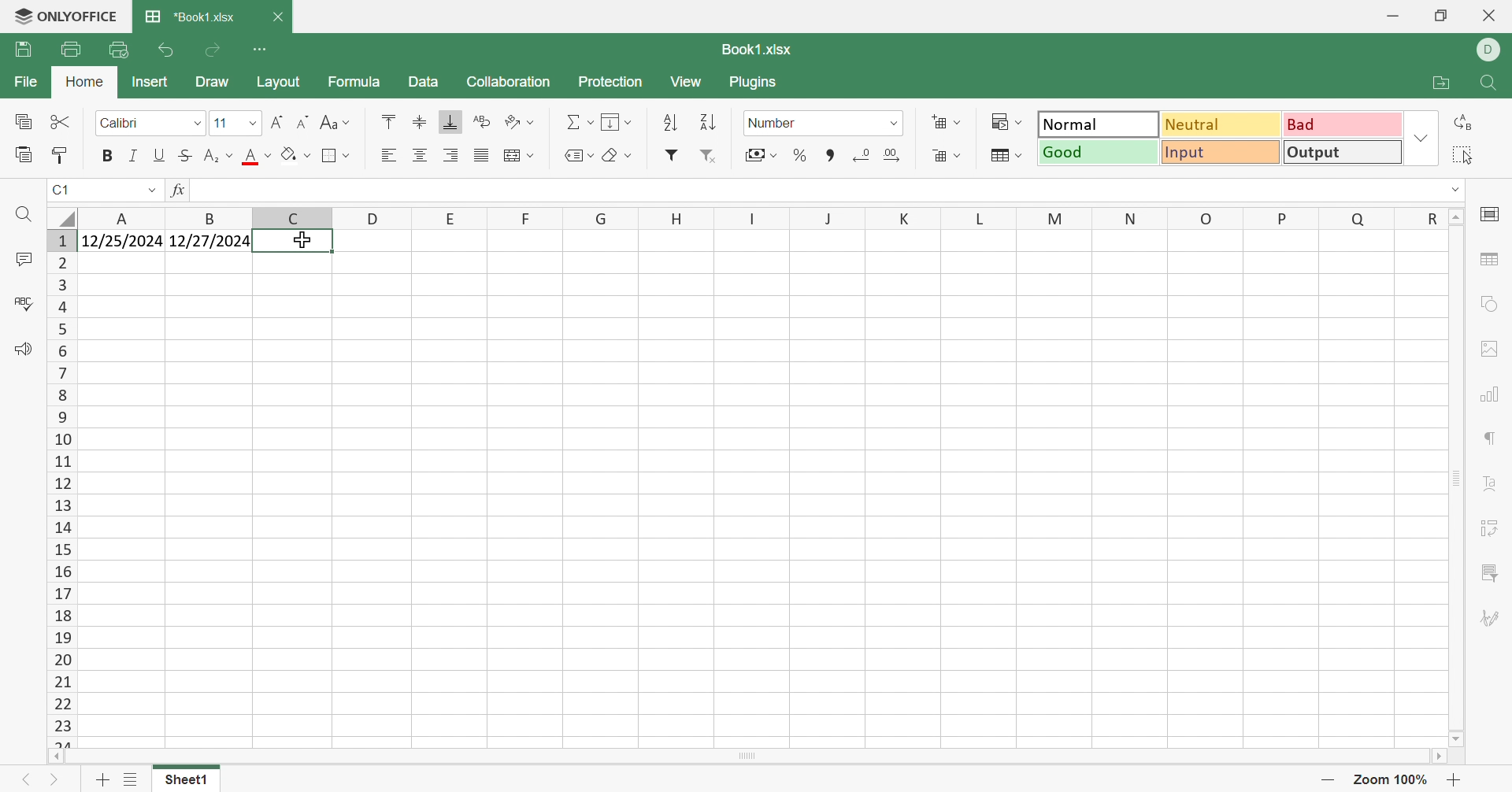 The height and width of the screenshot is (792, 1512). Describe the element at coordinates (669, 122) in the screenshot. I see `Ascending order` at that location.